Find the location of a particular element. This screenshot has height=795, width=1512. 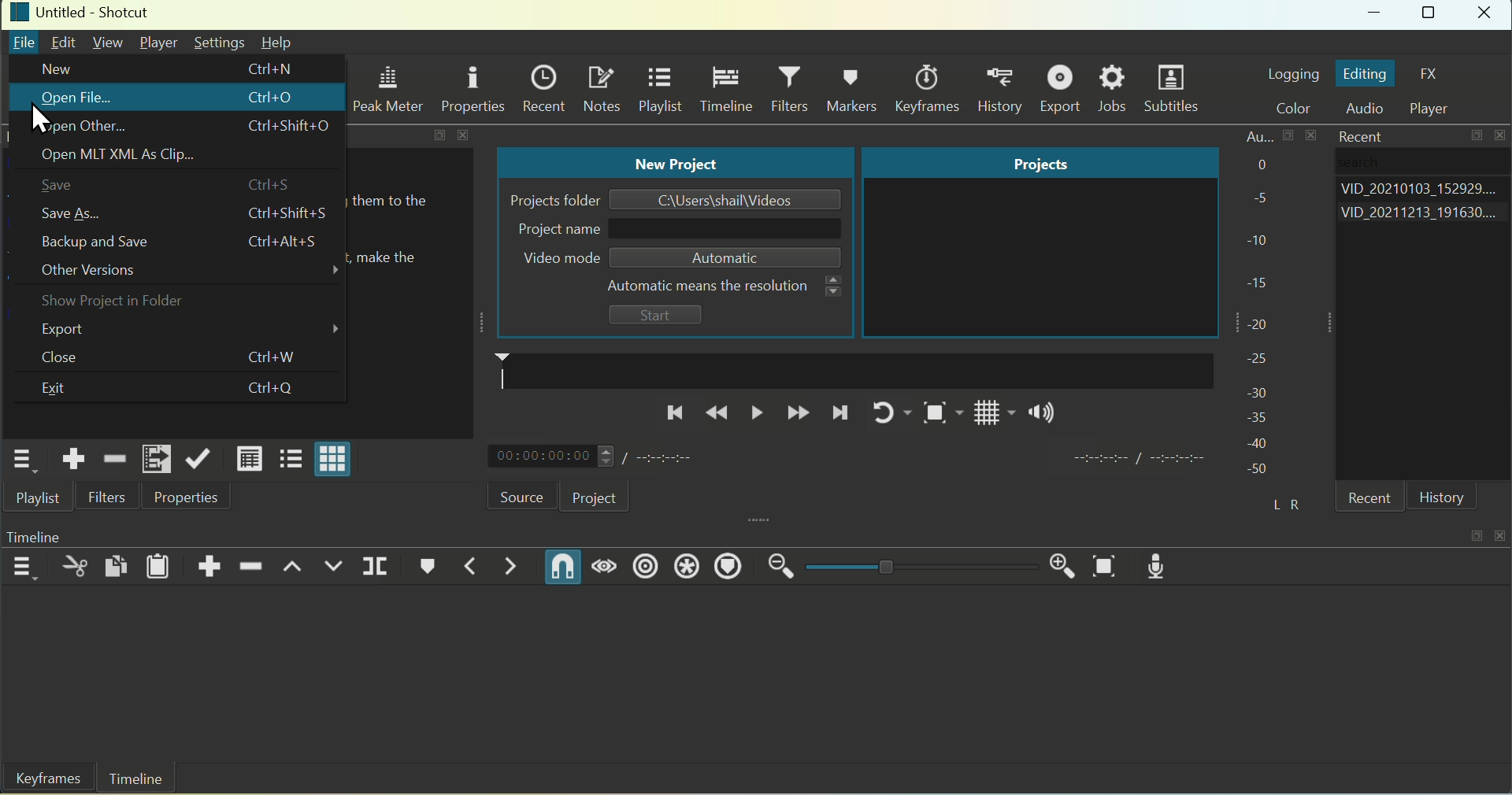

close is located at coordinates (1503, 136).